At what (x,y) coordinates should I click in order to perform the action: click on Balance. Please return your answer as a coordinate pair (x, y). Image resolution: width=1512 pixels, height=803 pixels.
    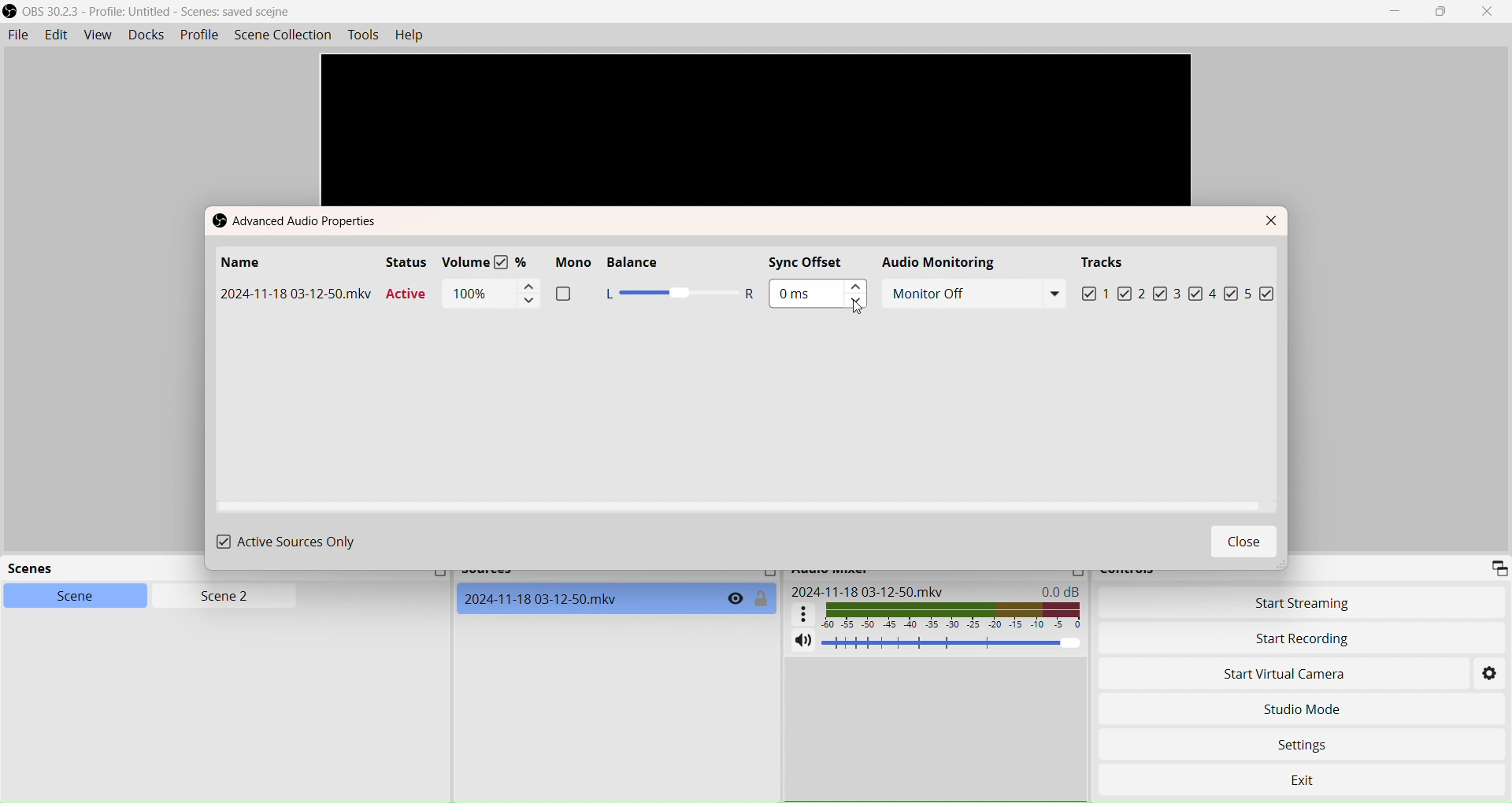
    Looking at the image, I should click on (648, 264).